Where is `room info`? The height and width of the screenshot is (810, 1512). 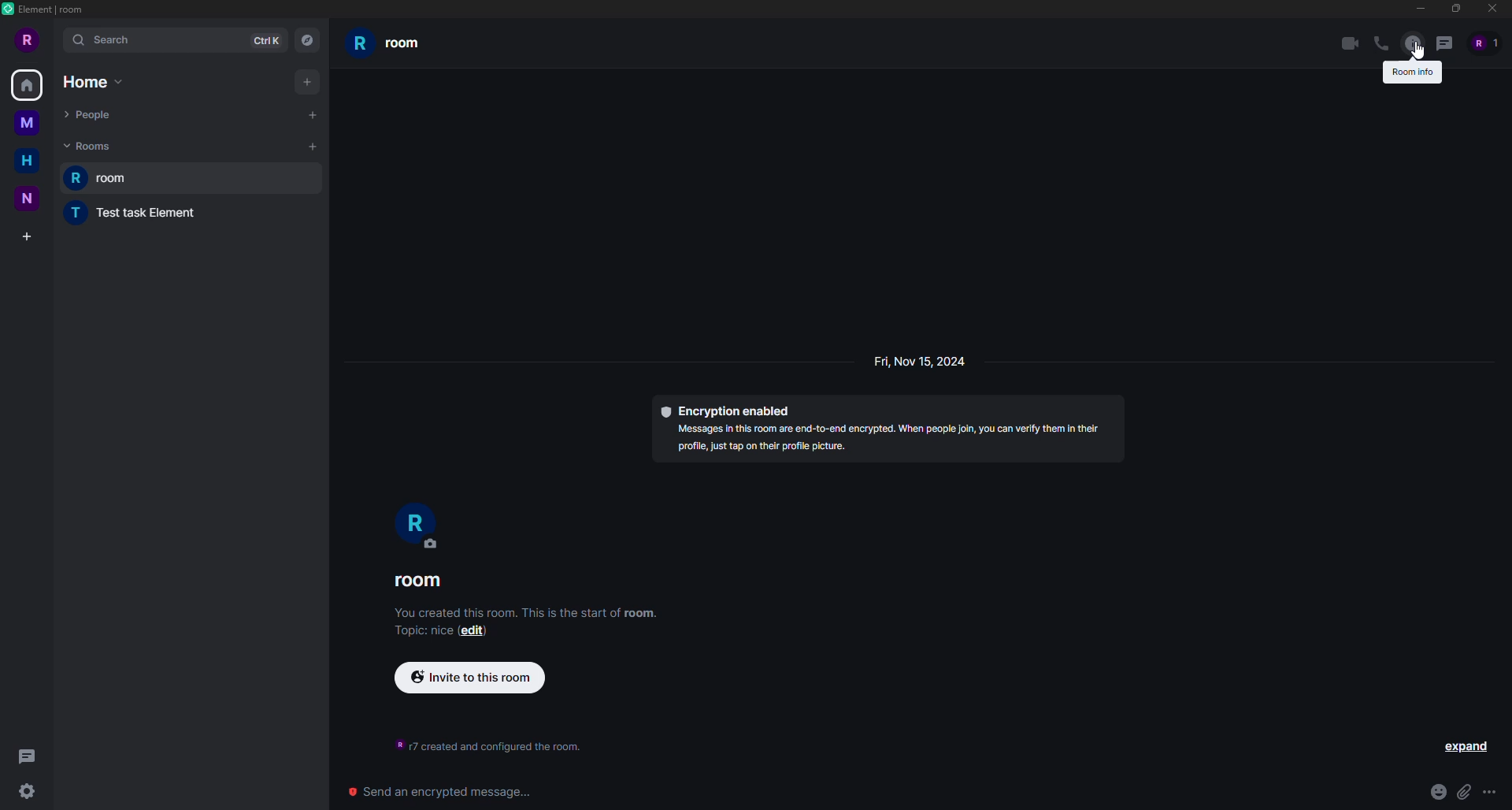 room info is located at coordinates (1412, 72).